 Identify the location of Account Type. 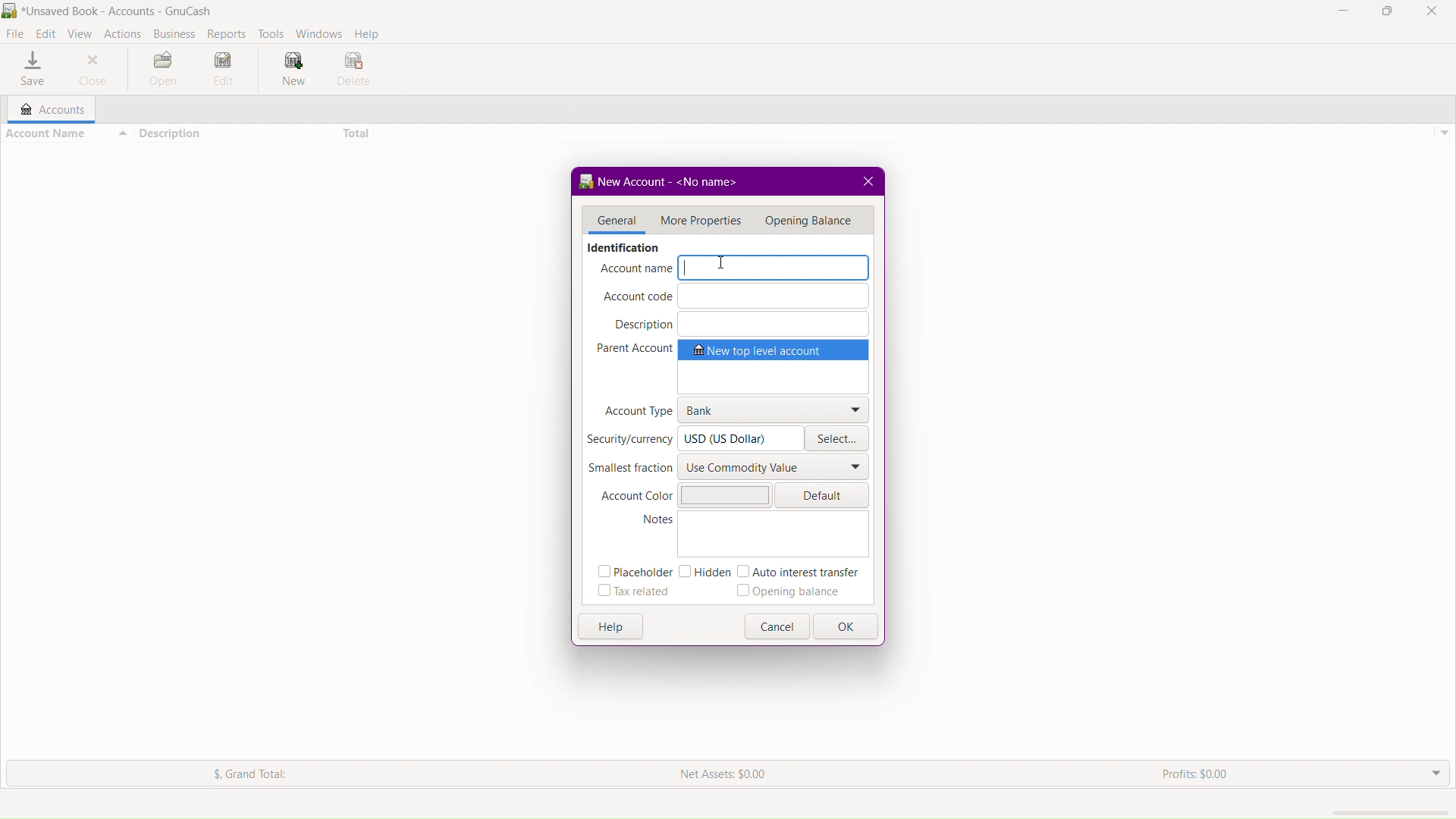
(735, 409).